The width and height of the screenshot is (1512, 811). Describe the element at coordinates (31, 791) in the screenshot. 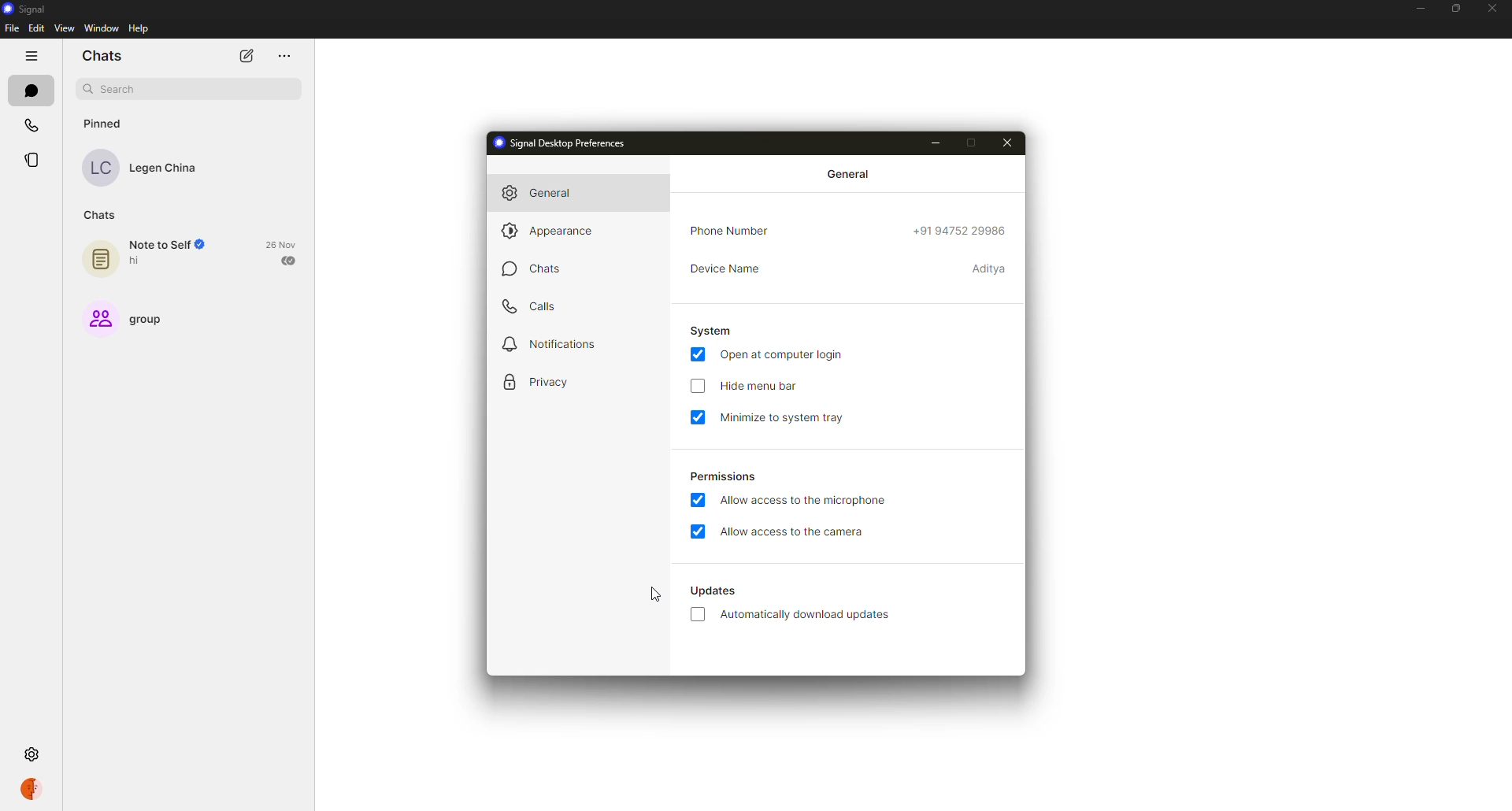

I see `profile` at that location.